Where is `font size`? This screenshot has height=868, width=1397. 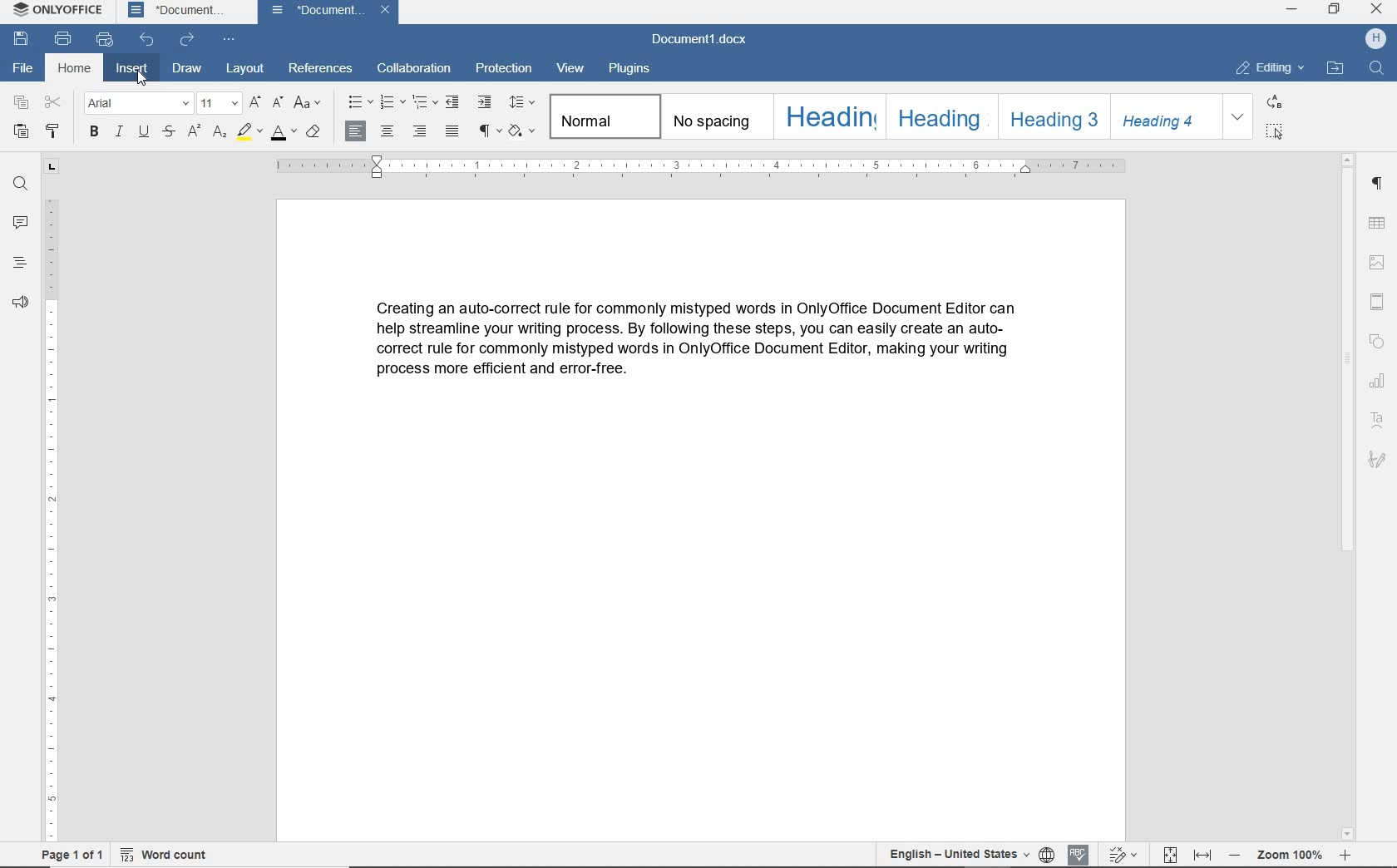
font size is located at coordinates (220, 102).